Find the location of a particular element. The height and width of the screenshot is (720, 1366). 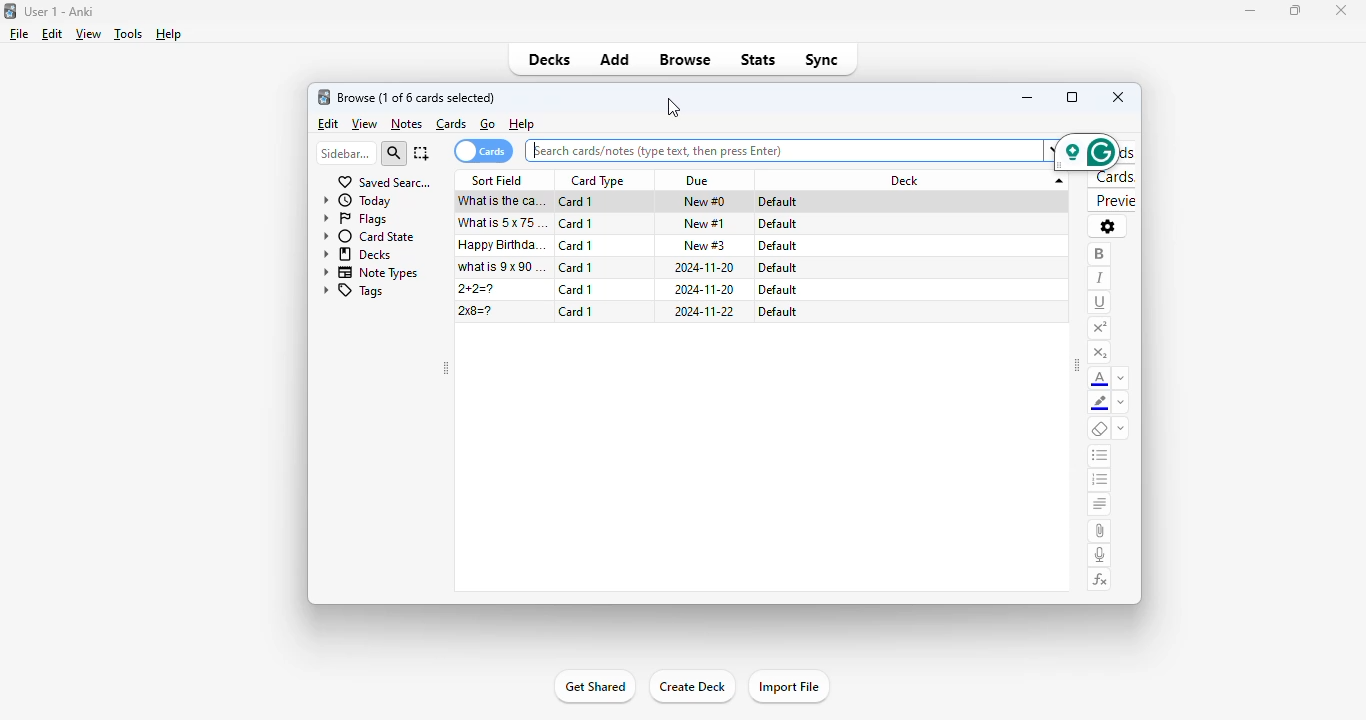

sort field is located at coordinates (499, 180).